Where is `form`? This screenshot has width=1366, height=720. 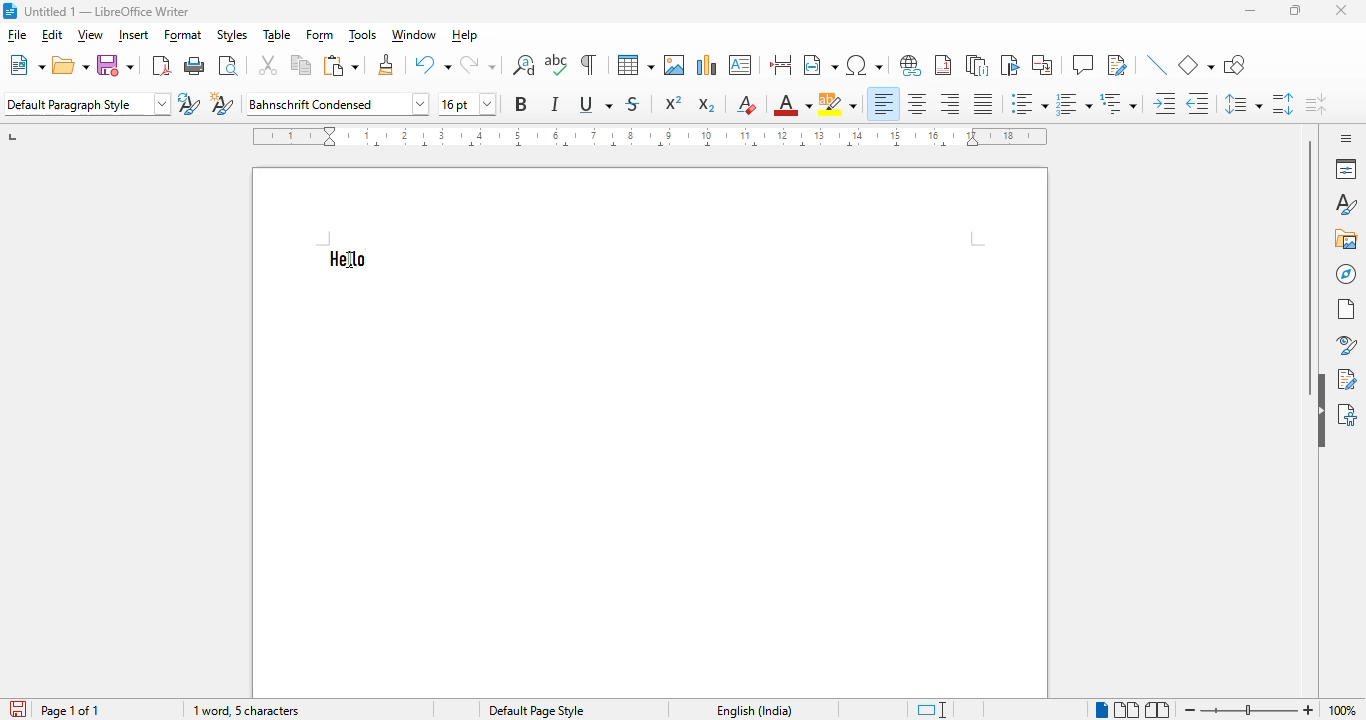 form is located at coordinates (321, 36).